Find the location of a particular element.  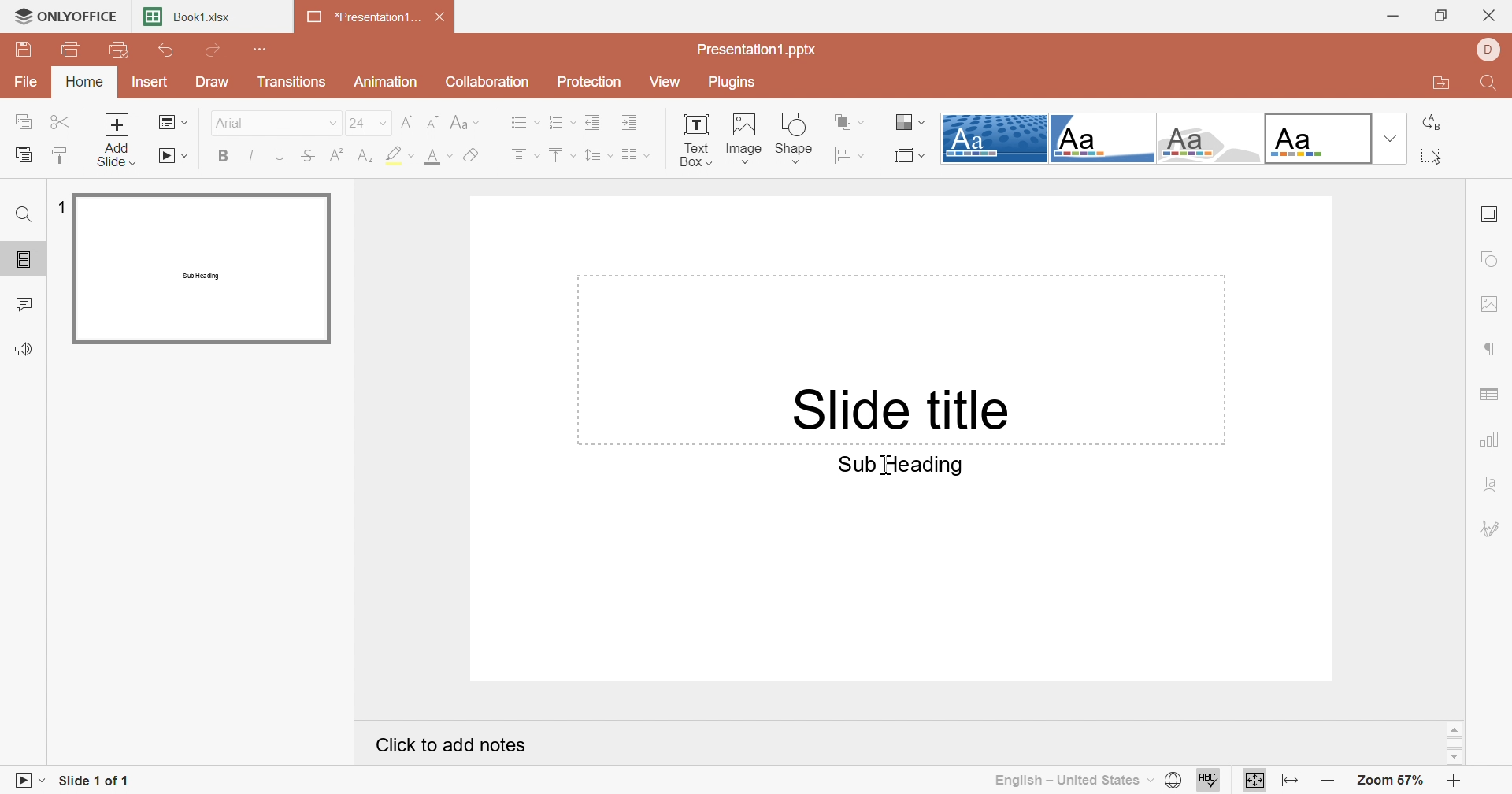

Draw is located at coordinates (213, 82).